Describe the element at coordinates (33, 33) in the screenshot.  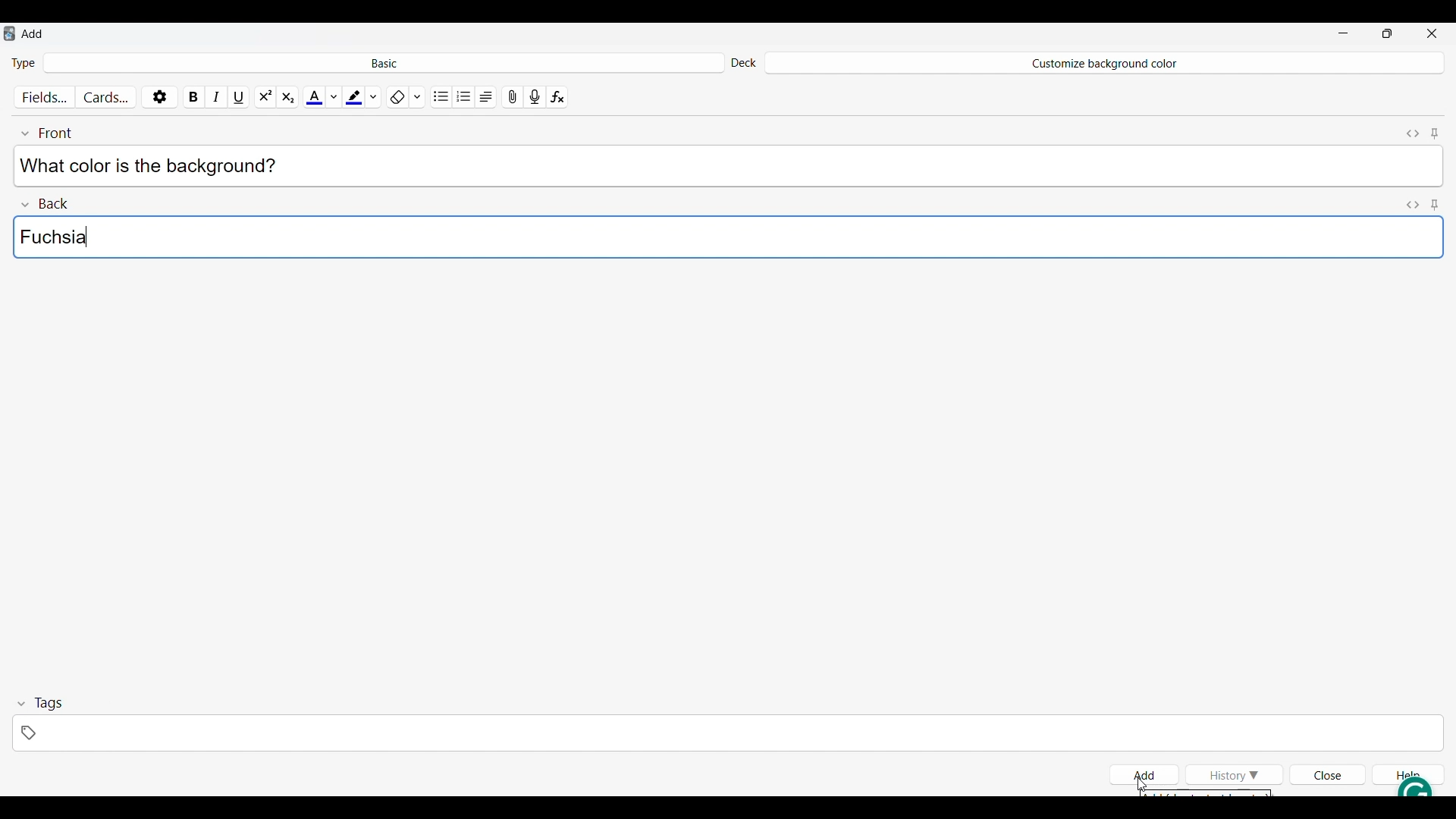
I see `Window name` at that location.